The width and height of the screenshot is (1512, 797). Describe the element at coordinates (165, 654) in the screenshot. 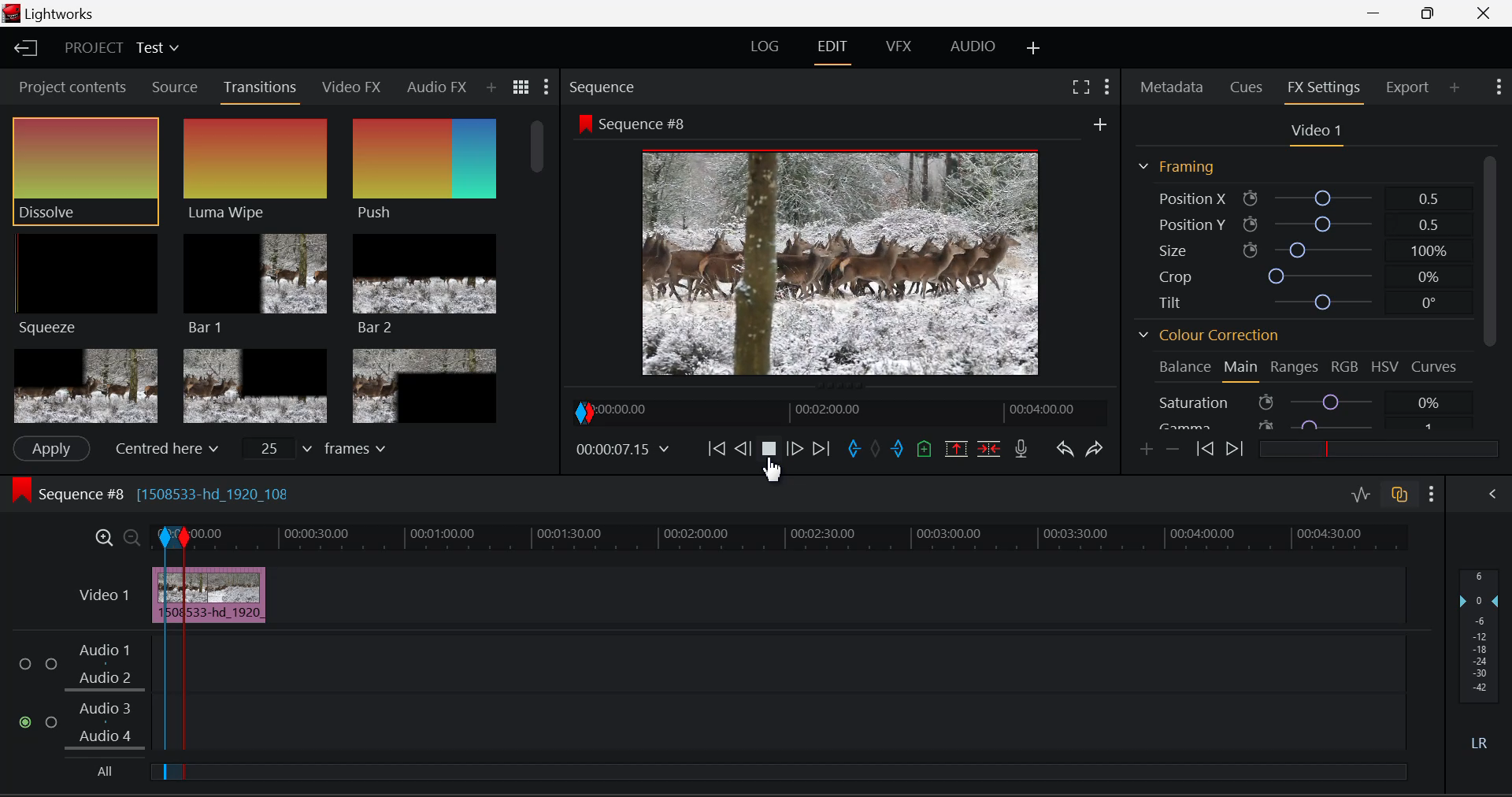

I see `Mark In Point` at that location.